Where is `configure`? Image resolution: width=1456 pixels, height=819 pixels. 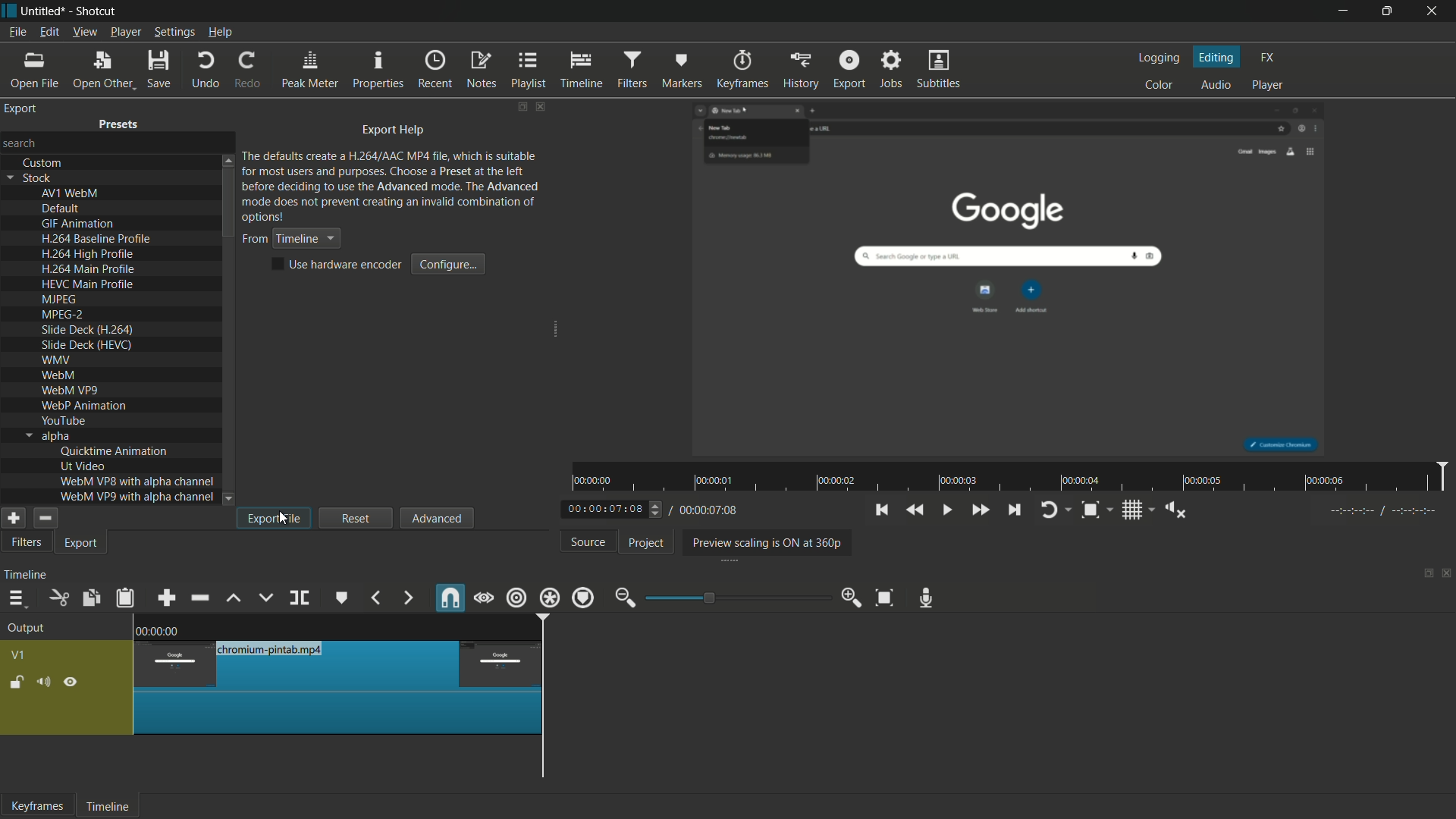 configure is located at coordinates (451, 263).